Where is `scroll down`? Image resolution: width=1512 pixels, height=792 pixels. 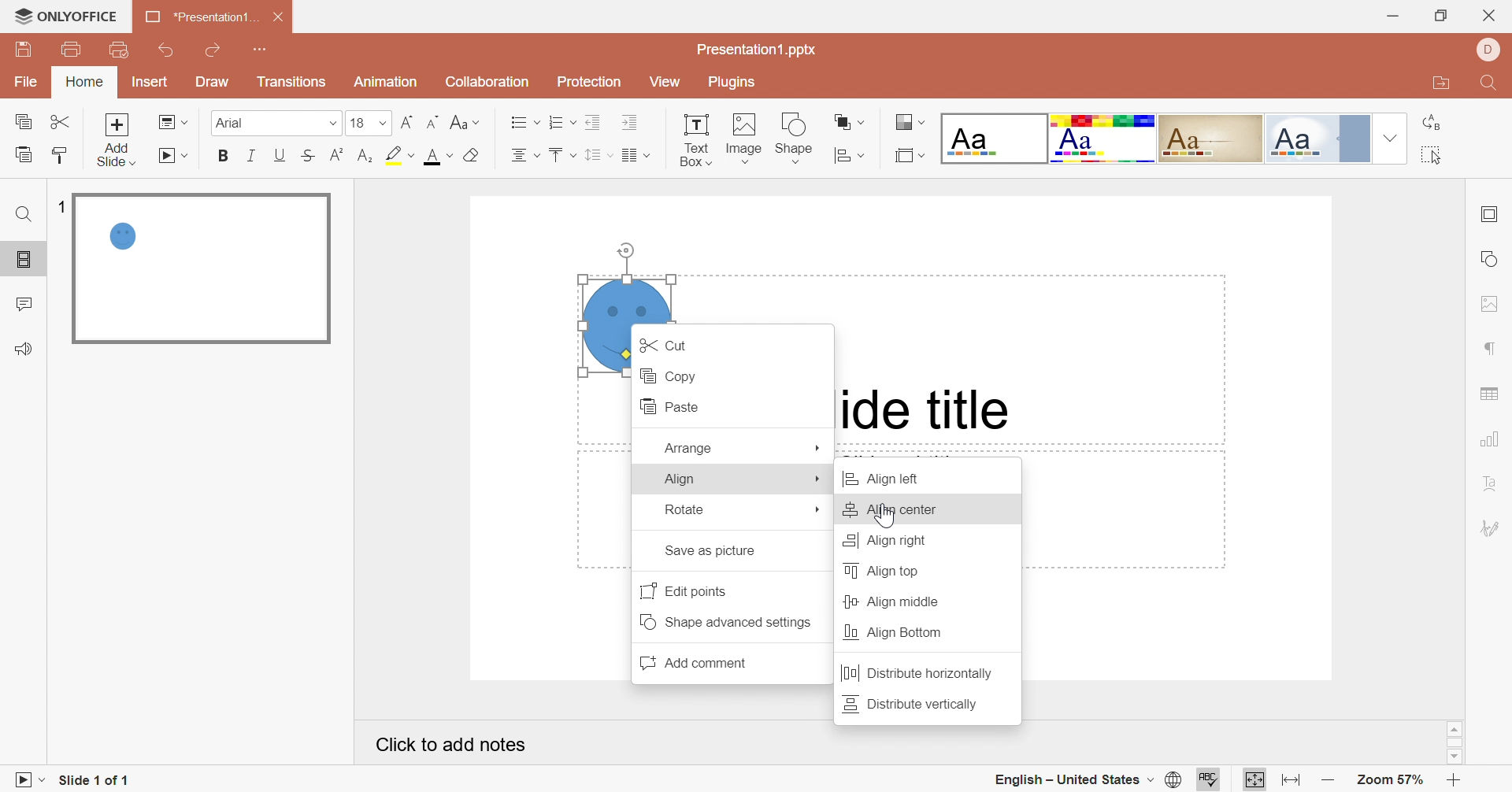 scroll down is located at coordinates (1454, 757).